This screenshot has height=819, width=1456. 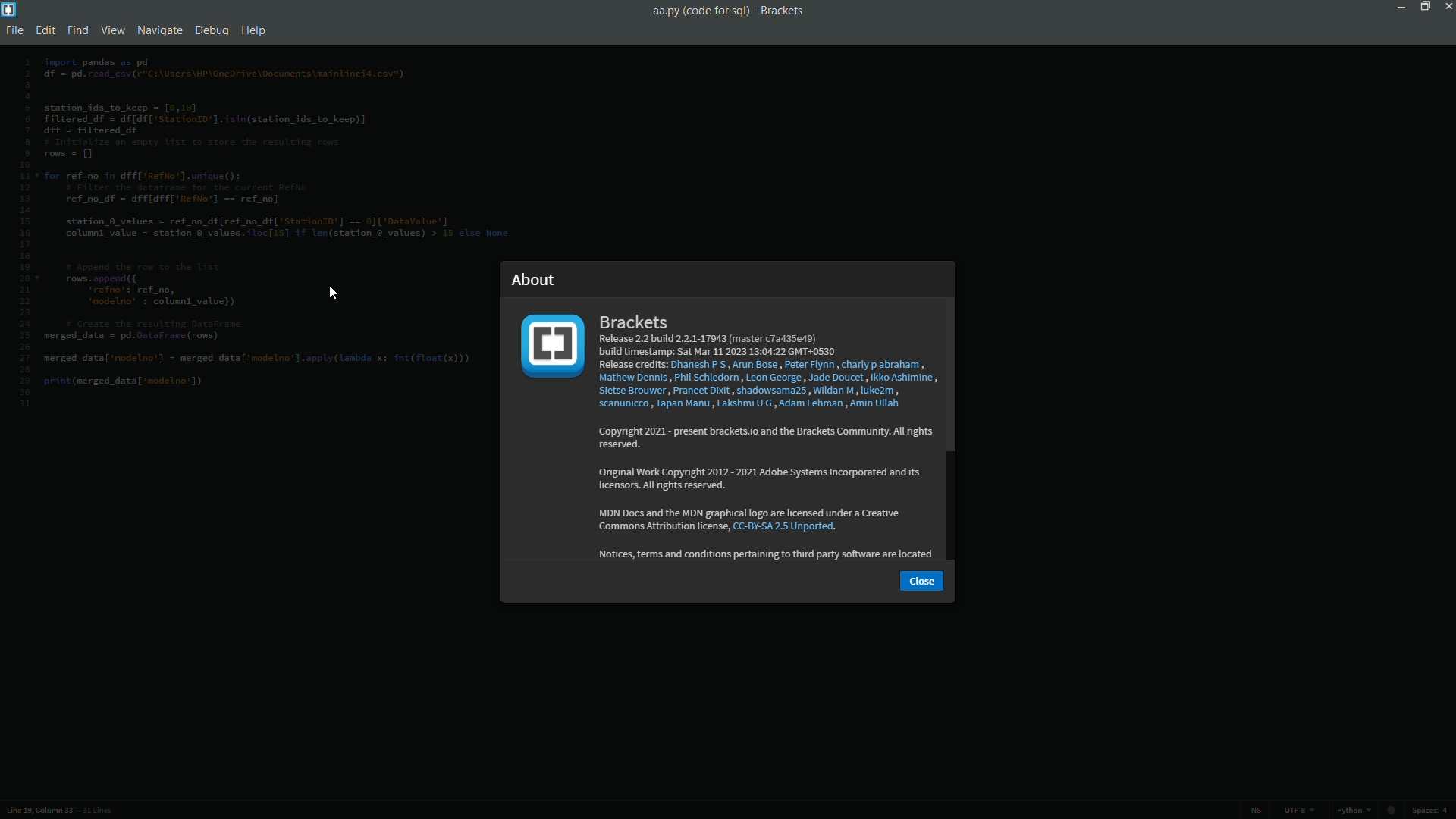 I want to click on debug menu, so click(x=210, y=30).